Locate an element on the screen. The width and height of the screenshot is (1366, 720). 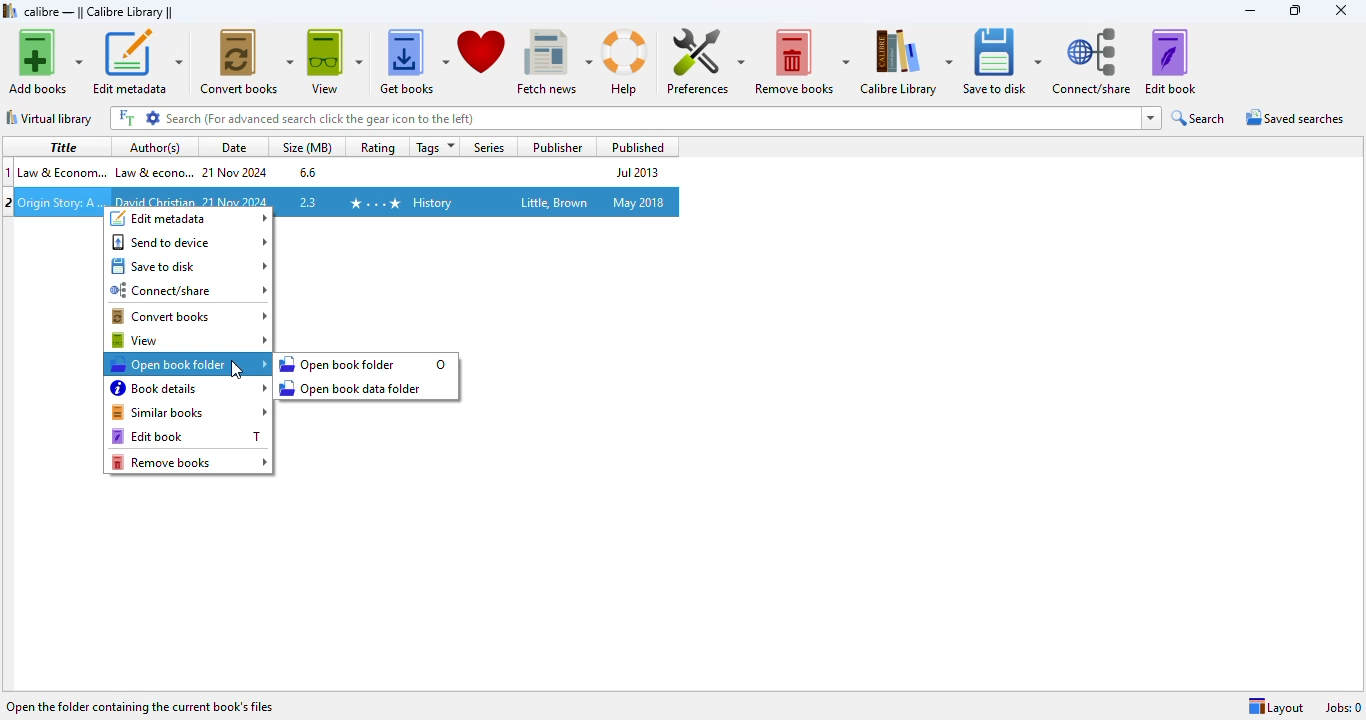
send to device is located at coordinates (189, 242).